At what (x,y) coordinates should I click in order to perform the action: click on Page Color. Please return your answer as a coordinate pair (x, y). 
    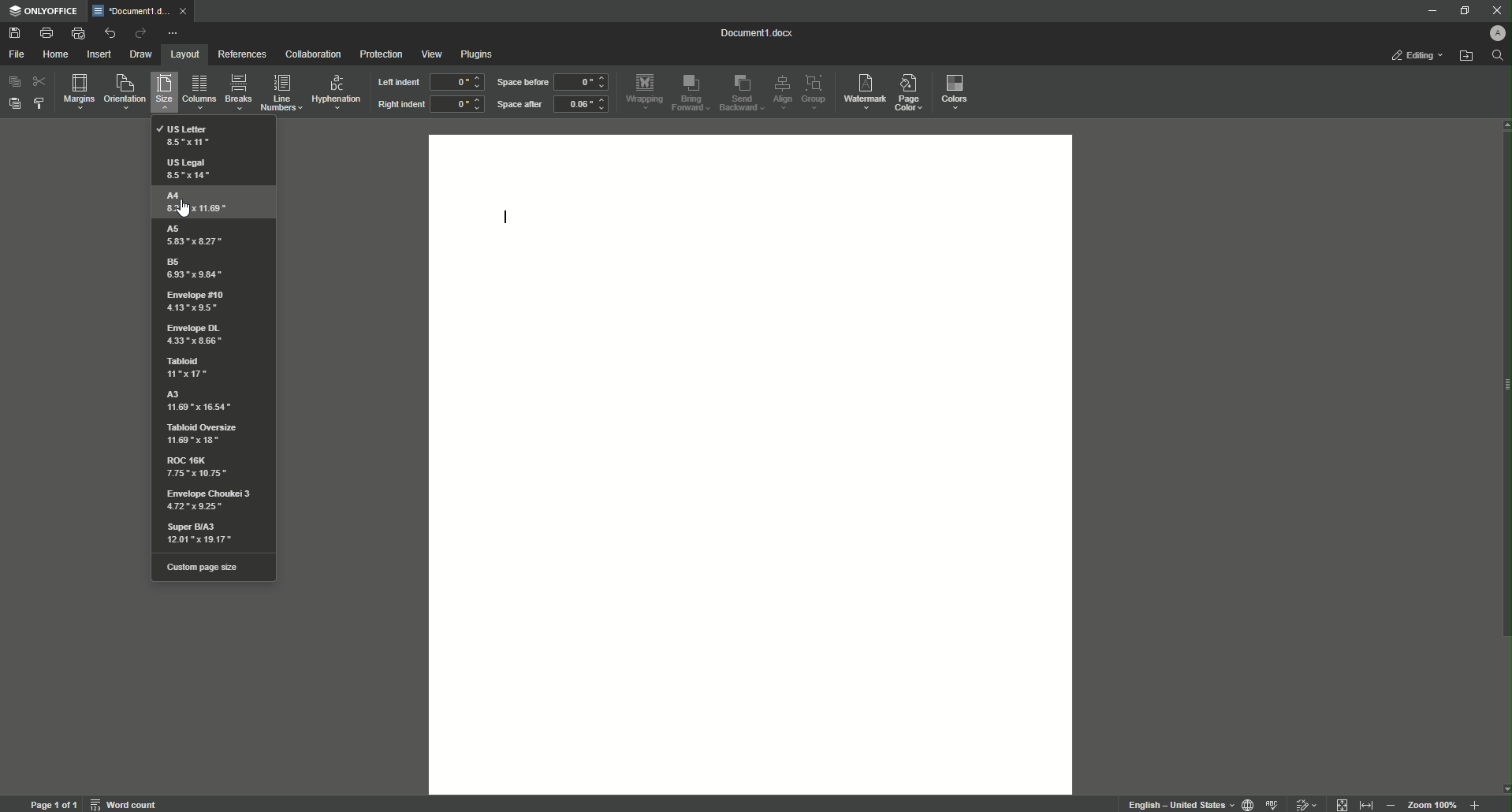
    Looking at the image, I should click on (914, 89).